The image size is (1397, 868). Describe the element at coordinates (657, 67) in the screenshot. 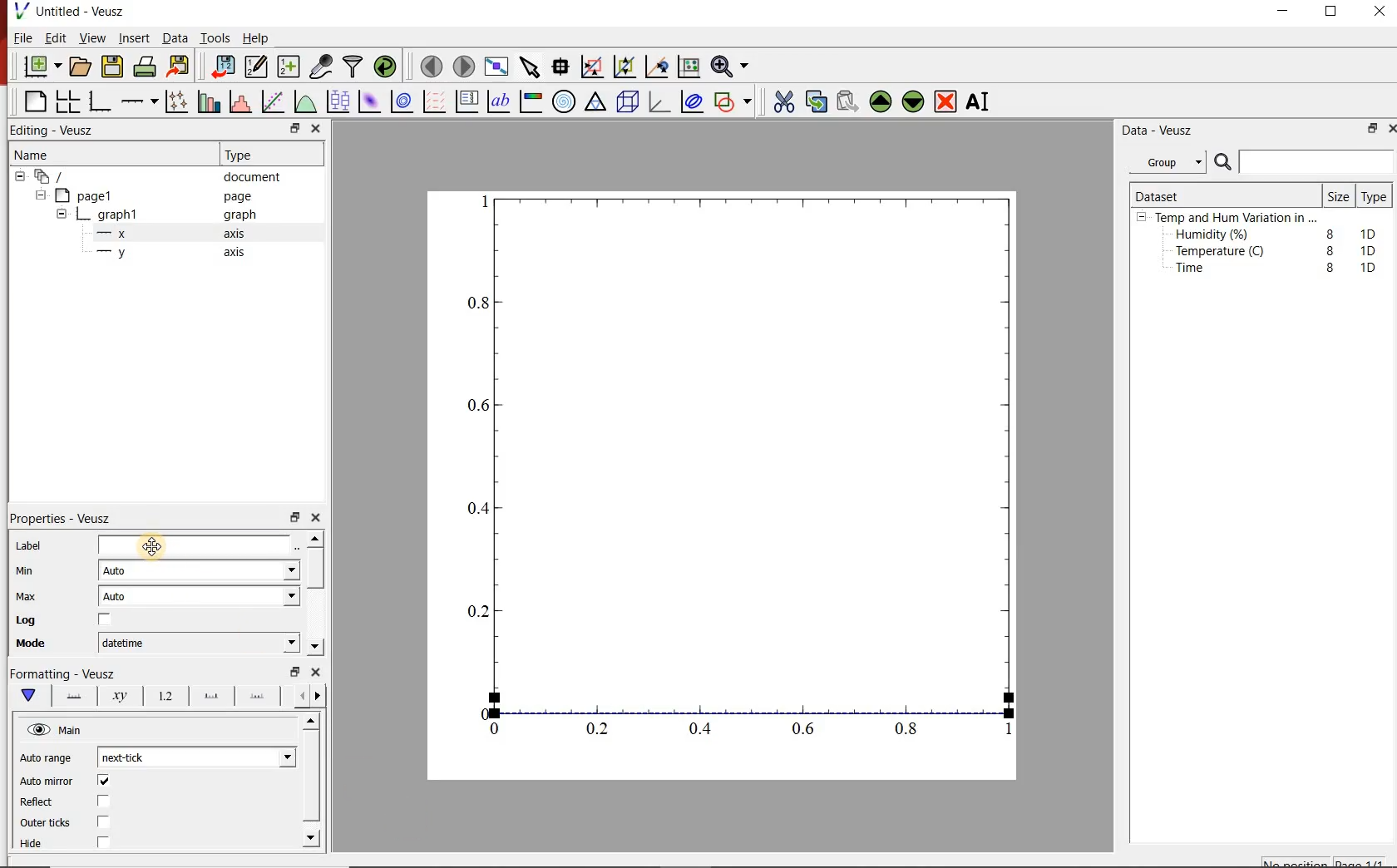

I see `click to recenter graph axes` at that location.